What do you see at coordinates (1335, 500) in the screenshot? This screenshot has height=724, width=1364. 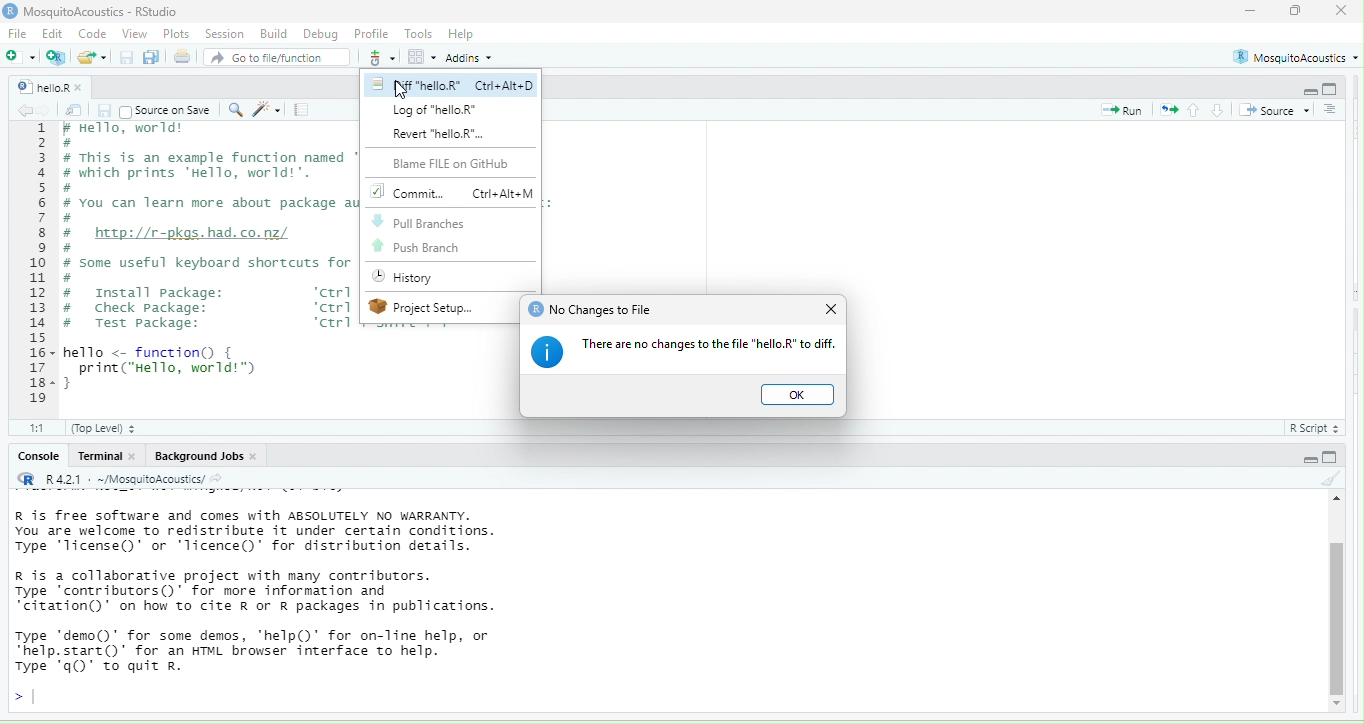 I see `scroll up` at bounding box center [1335, 500].